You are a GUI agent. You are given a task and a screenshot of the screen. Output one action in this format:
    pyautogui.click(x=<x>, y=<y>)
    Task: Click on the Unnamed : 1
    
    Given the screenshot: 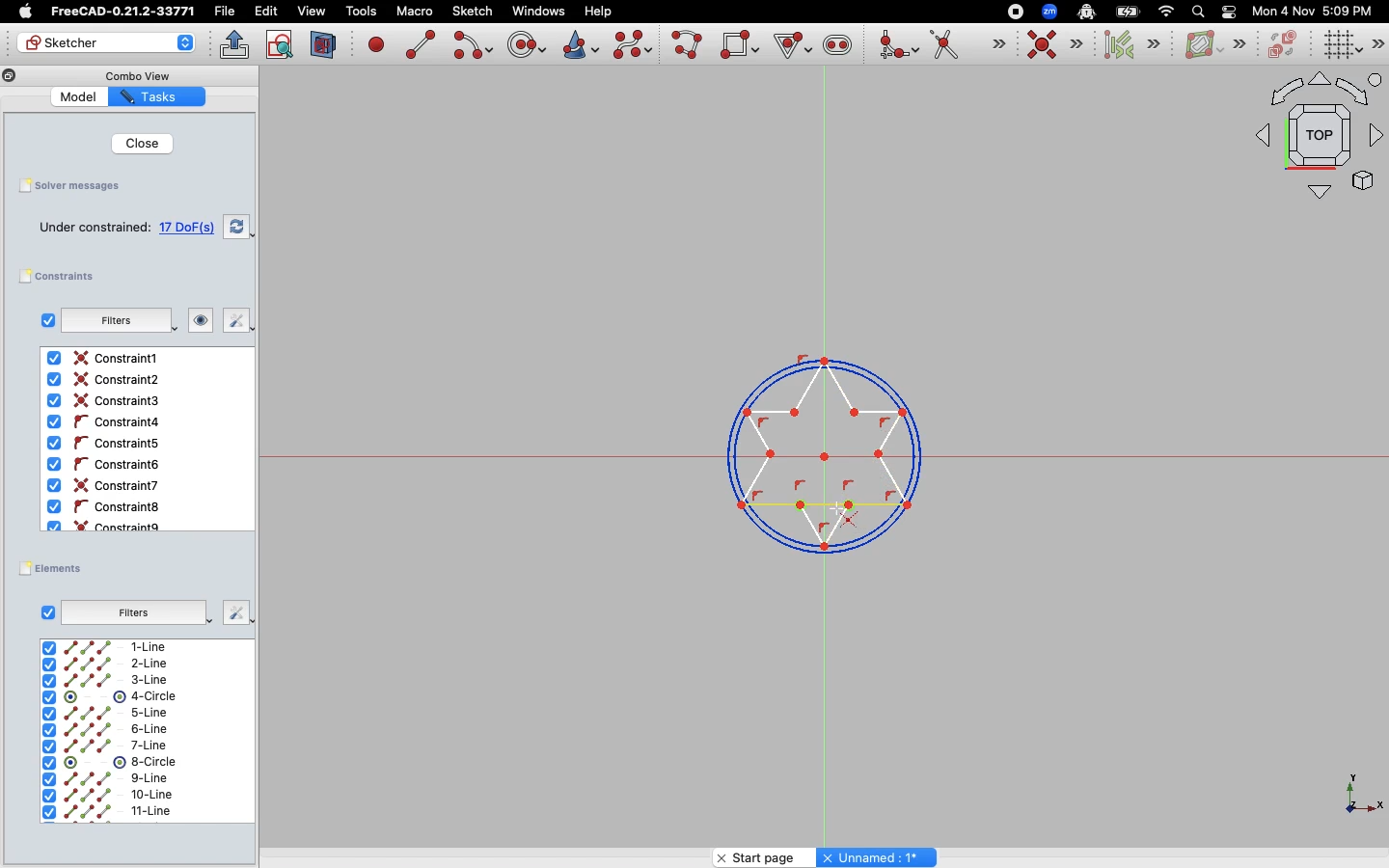 What is the action you would take?
    pyautogui.click(x=876, y=854)
    